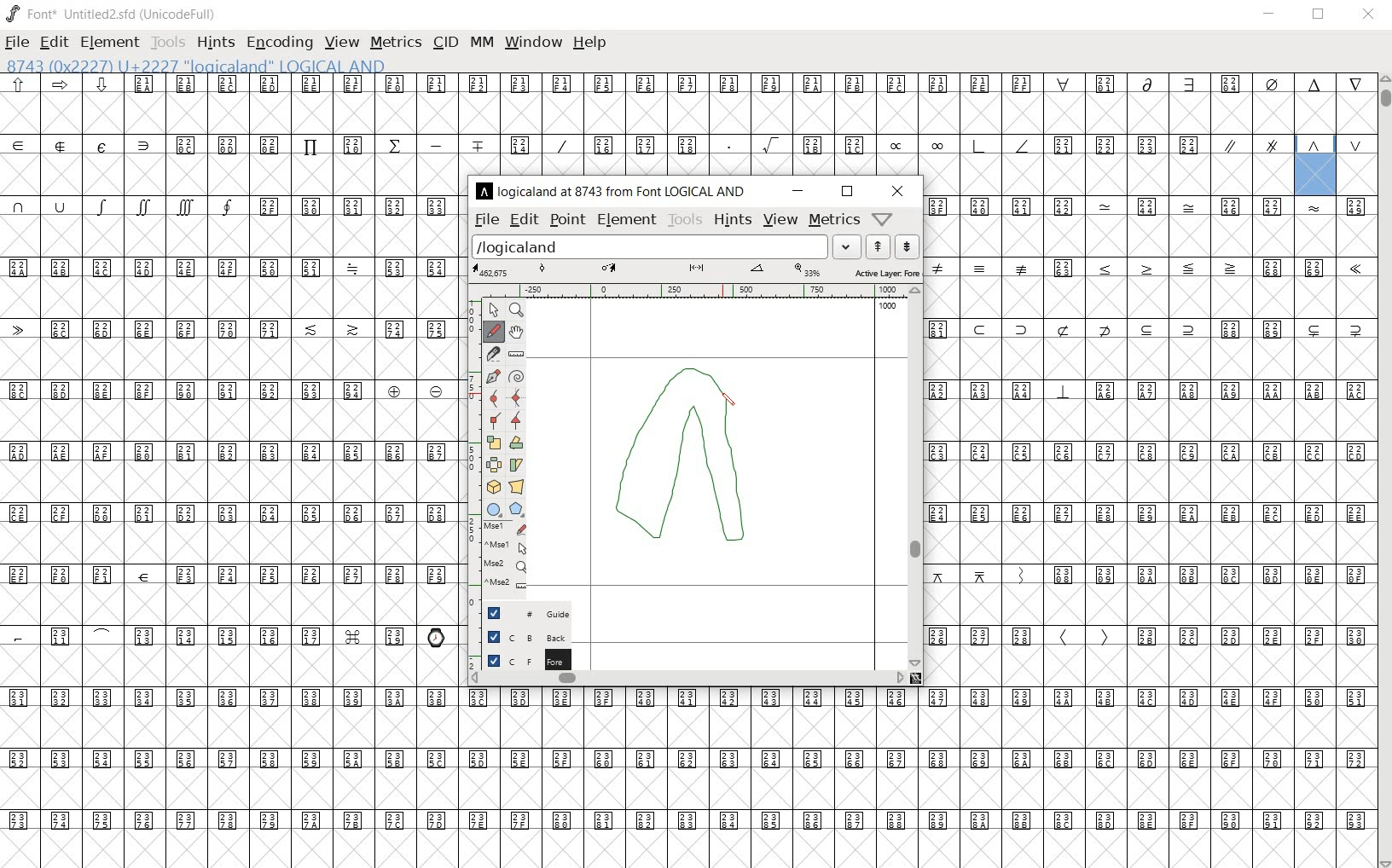 This screenshot has width=1392, height=868. I want to click on restore, so click(1319, 14).